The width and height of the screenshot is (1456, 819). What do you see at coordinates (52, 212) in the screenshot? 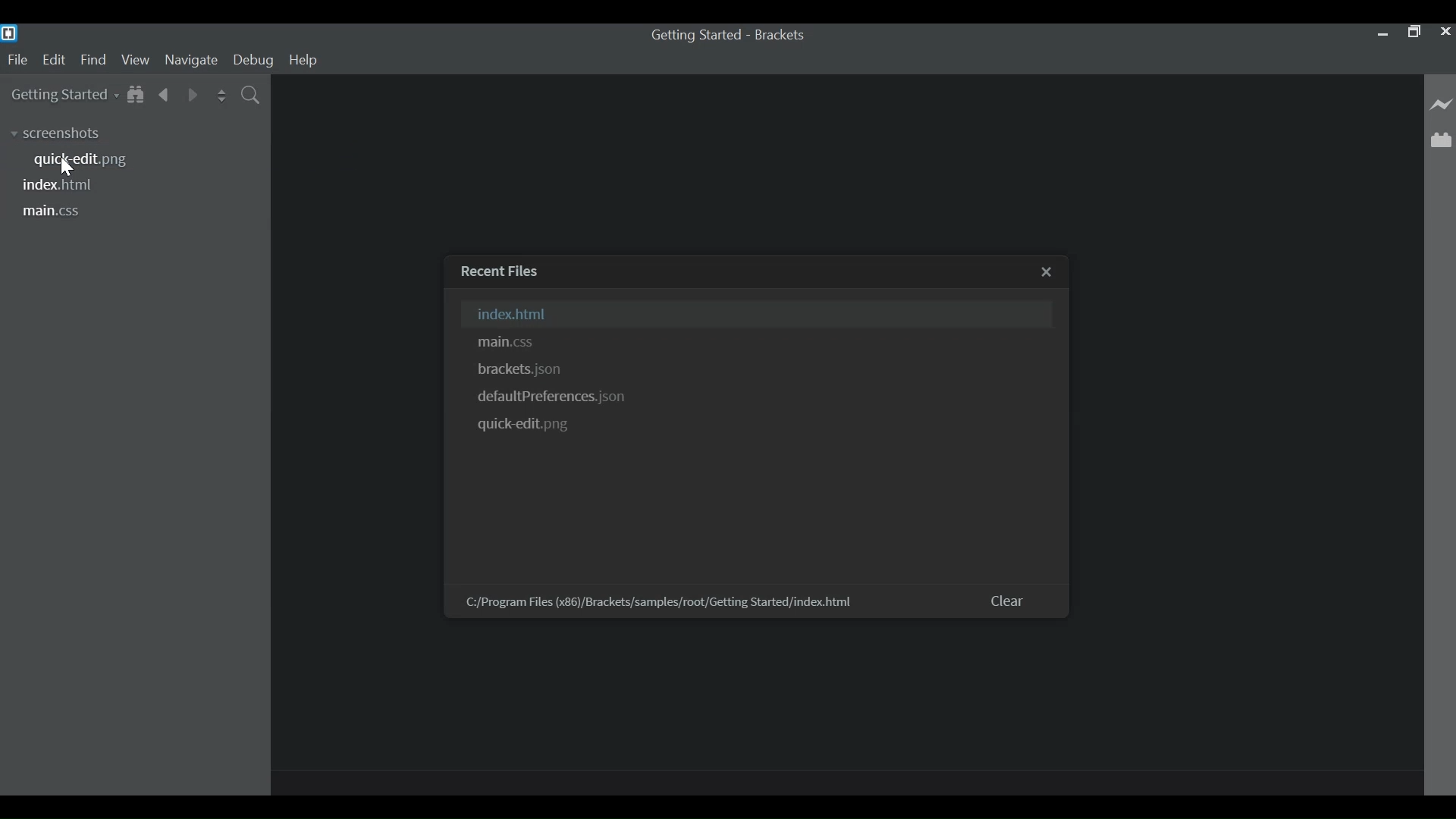
I see `main.css` at bounding box center [52, 212].